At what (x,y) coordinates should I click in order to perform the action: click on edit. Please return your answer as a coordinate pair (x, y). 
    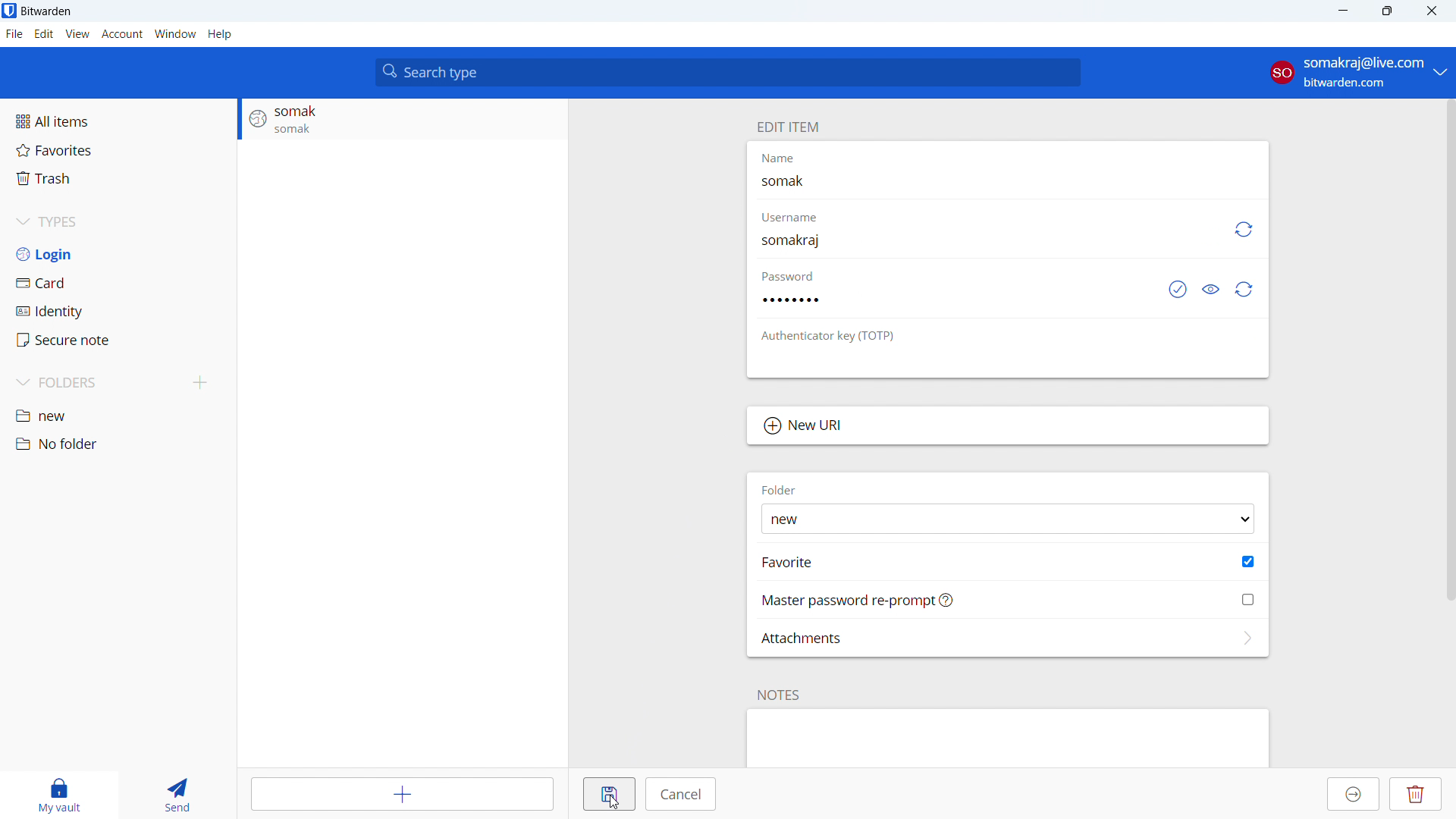
    Looking at the image, I should click on (43, 34).